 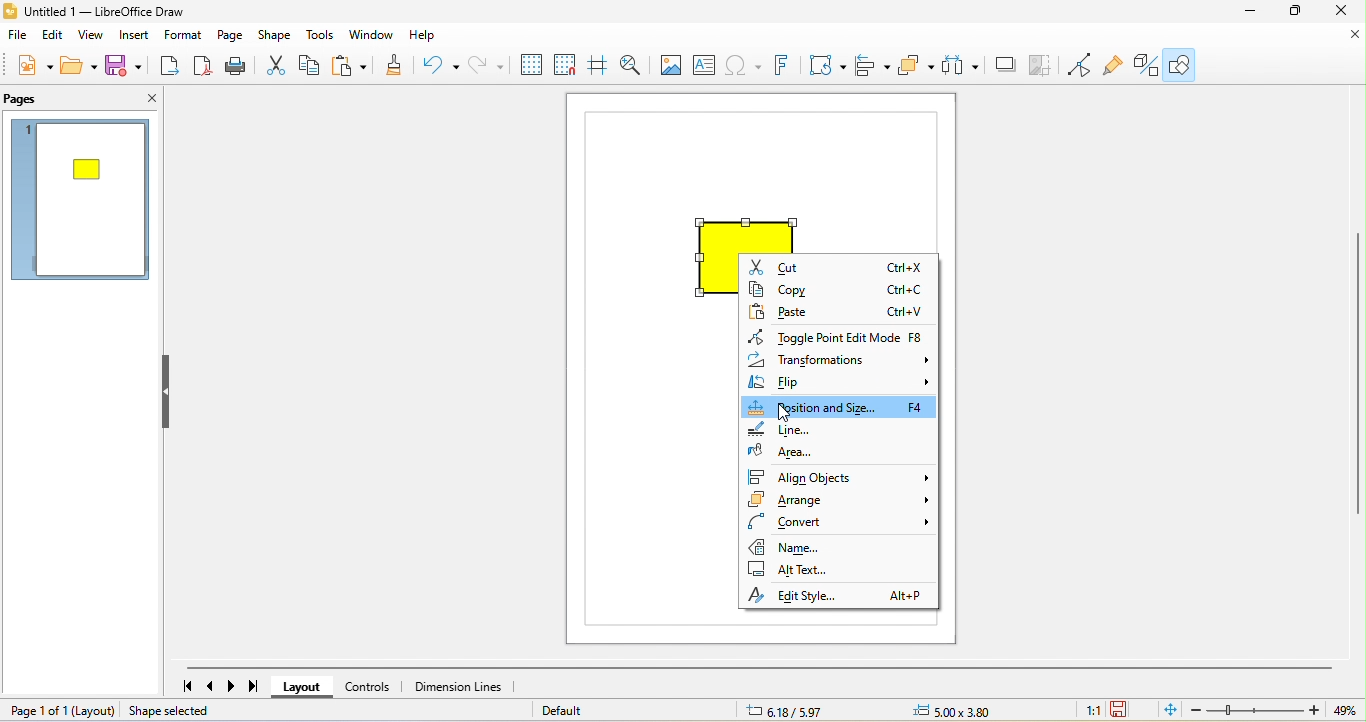 I want to click on layout, so click(x=305, y=689).